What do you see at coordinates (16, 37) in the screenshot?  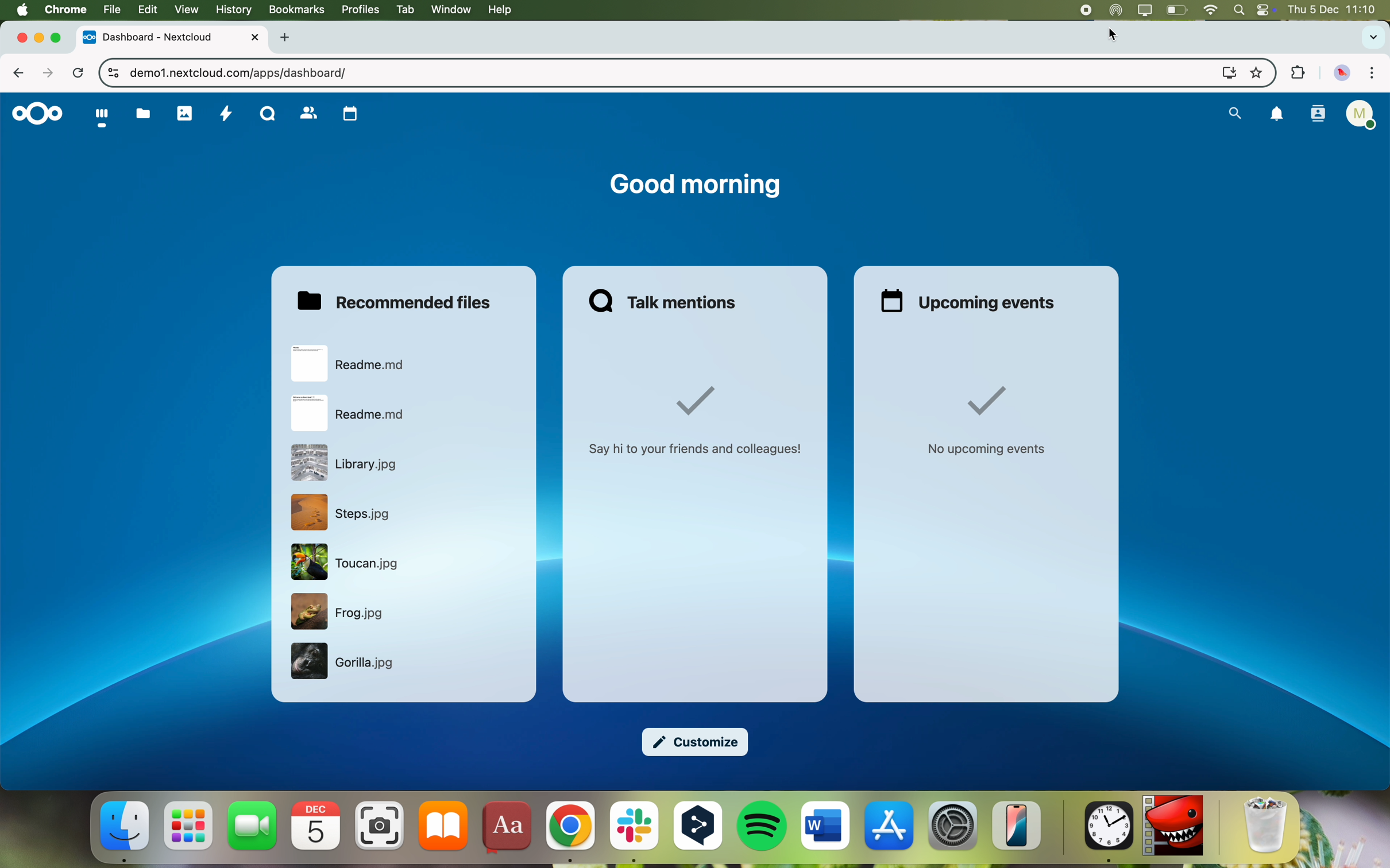 I see `close tab` at bounding box center [16, 37].